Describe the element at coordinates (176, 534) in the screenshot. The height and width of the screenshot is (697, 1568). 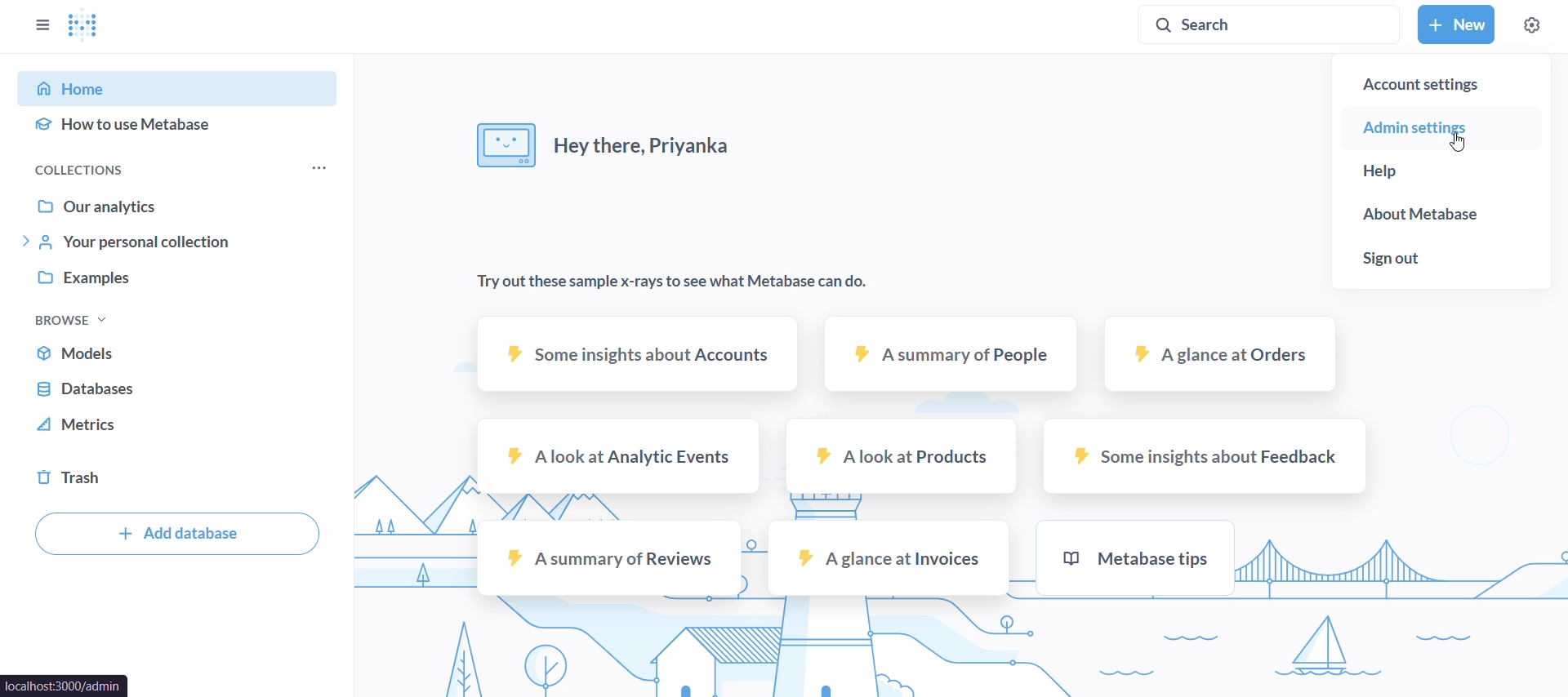
I see `add database` at that location.